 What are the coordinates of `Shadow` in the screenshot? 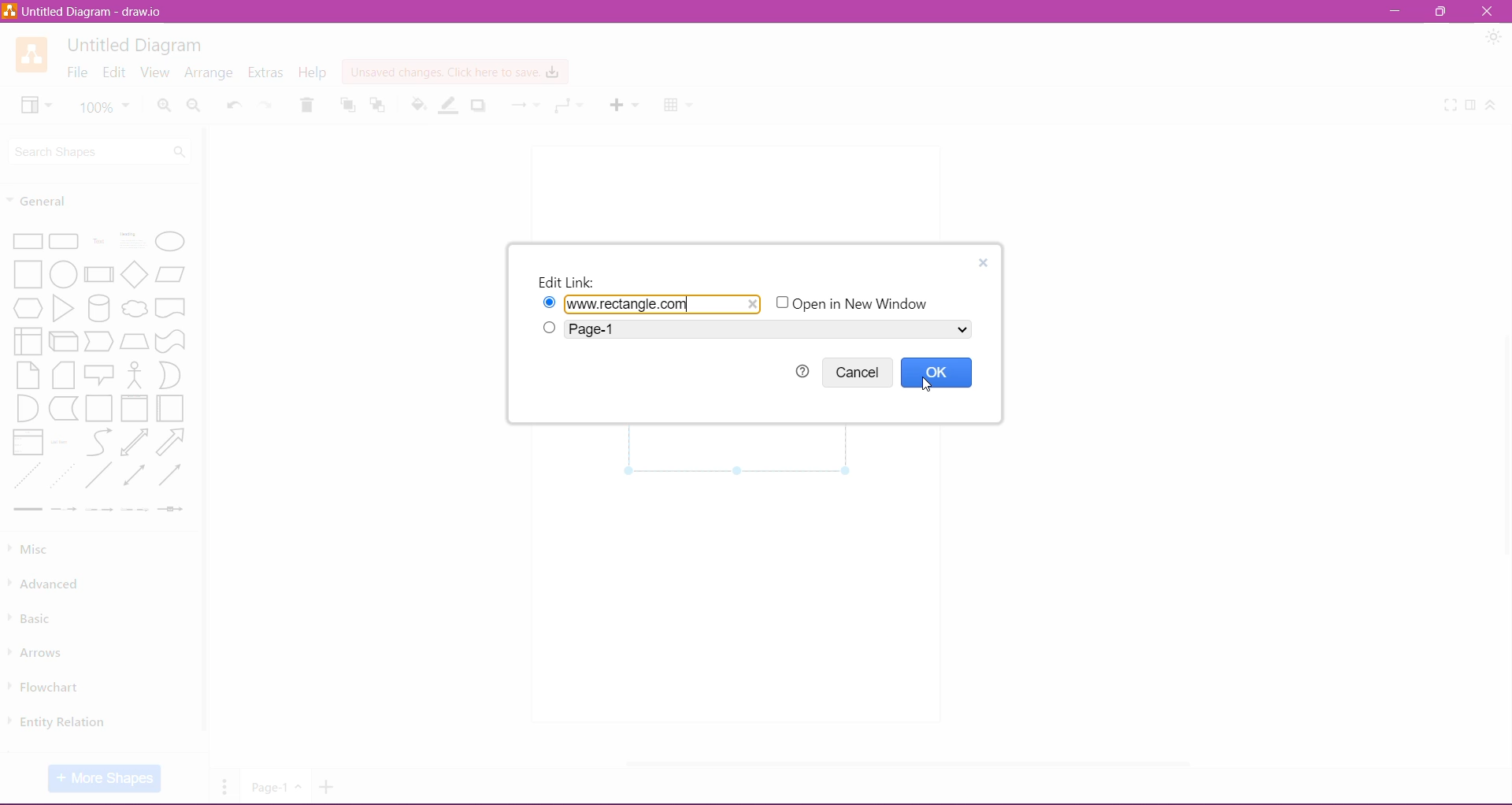 It's located at (479, 106).